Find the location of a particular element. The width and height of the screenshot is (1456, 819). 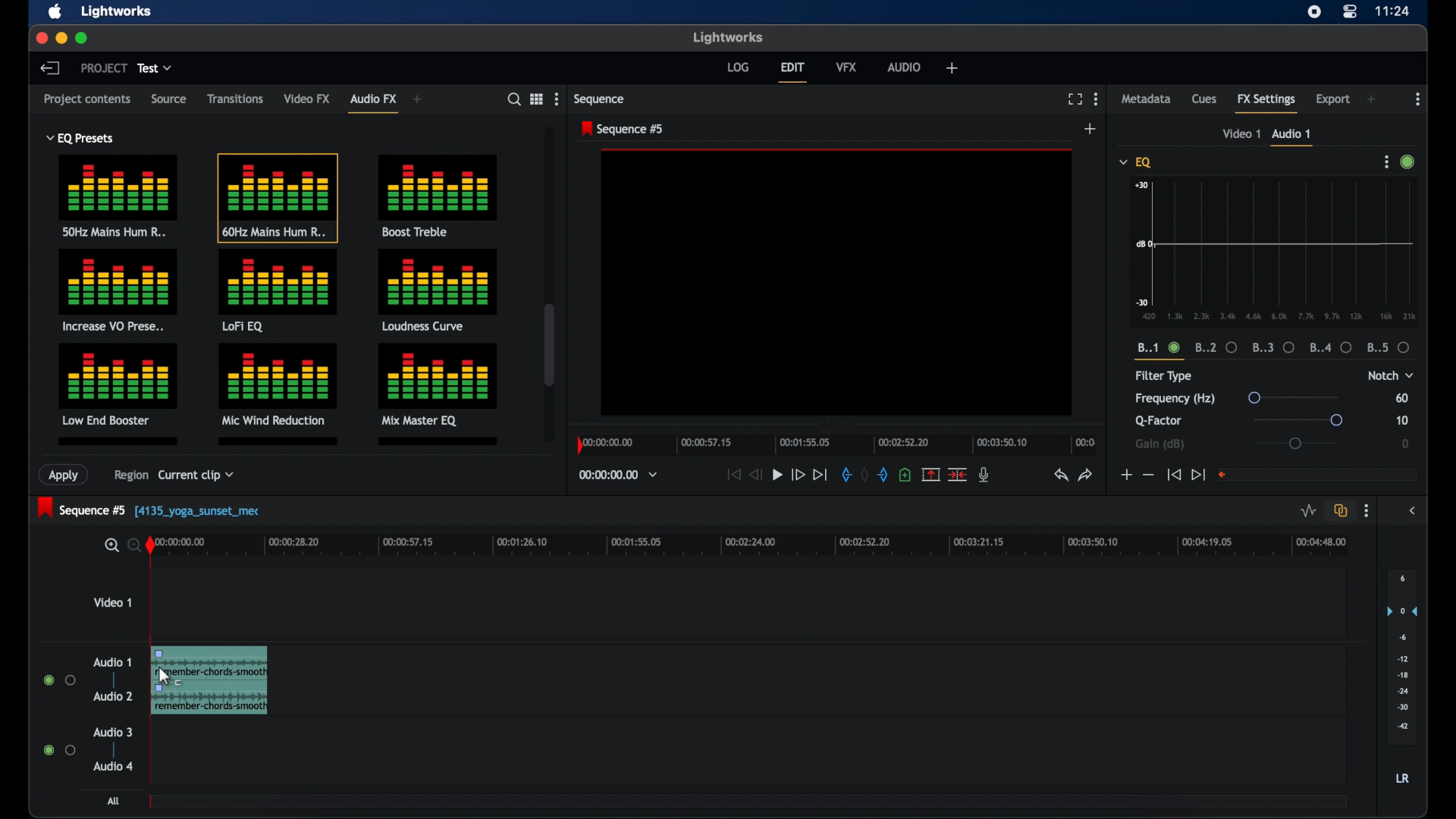

video clip is located at coordinates (213, 679).